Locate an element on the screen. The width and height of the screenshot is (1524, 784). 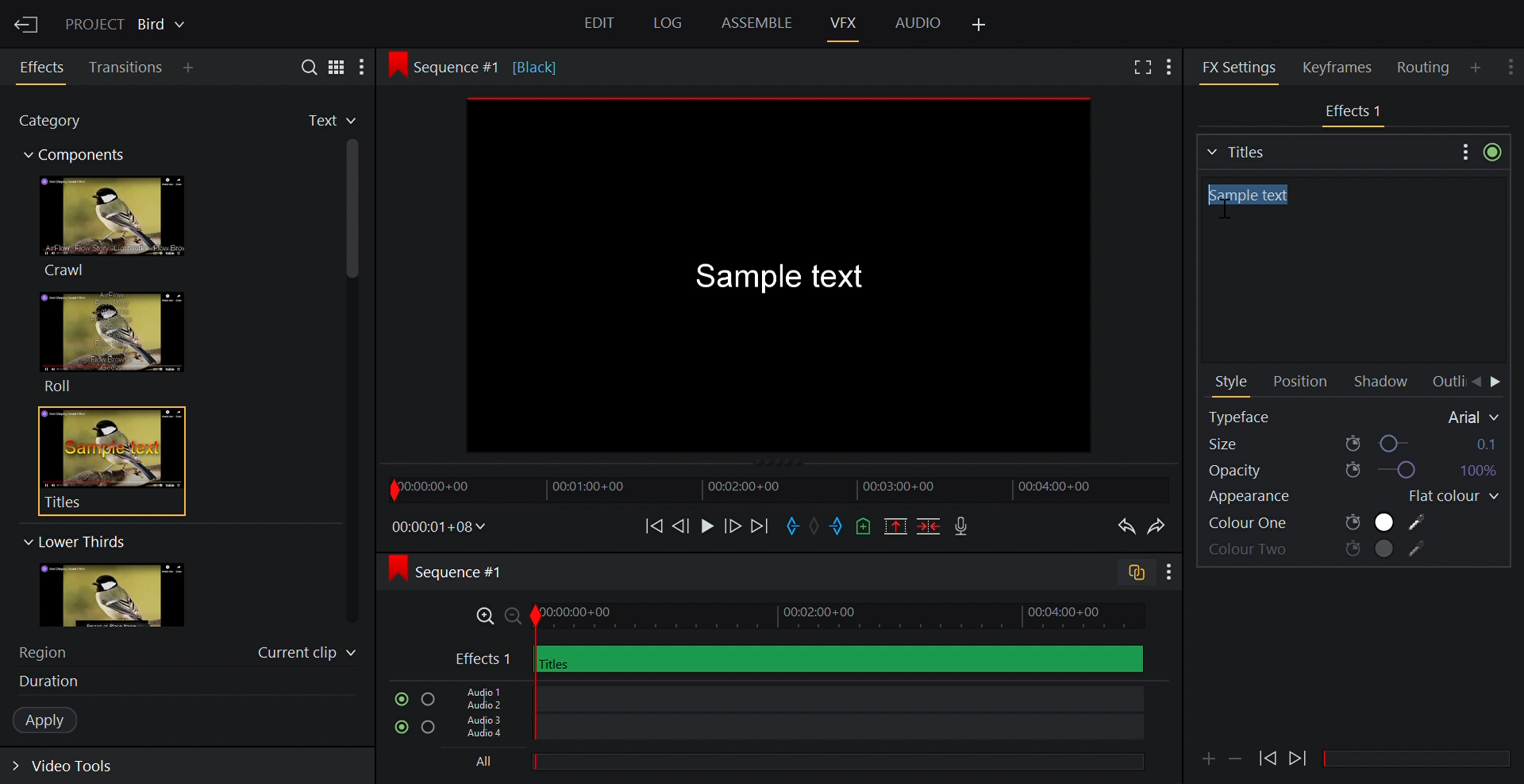
Shadow is located at coordinates (1385, 382).